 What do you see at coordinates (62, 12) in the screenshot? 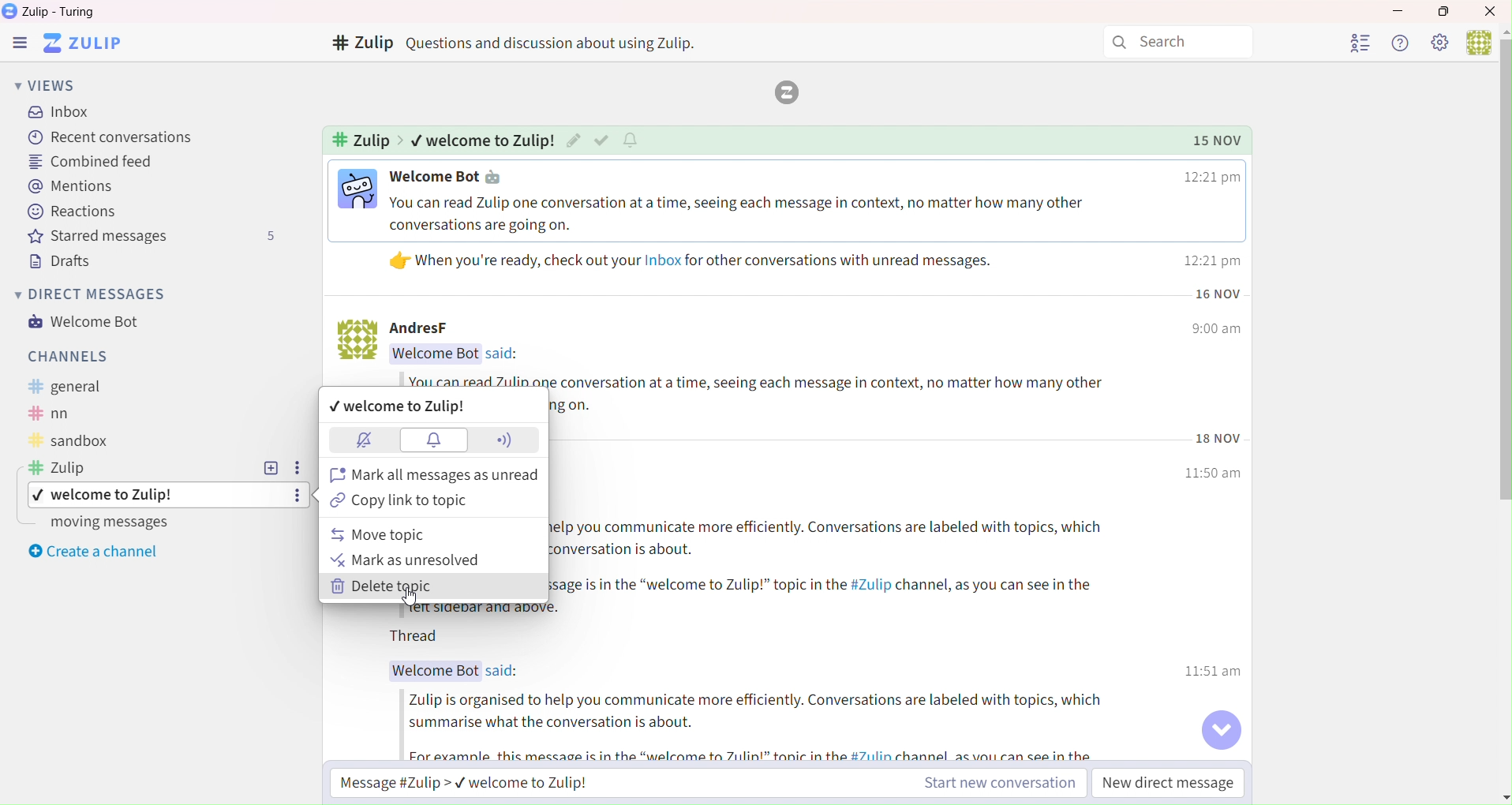
I see `Text` at bounding box center [62, 12].